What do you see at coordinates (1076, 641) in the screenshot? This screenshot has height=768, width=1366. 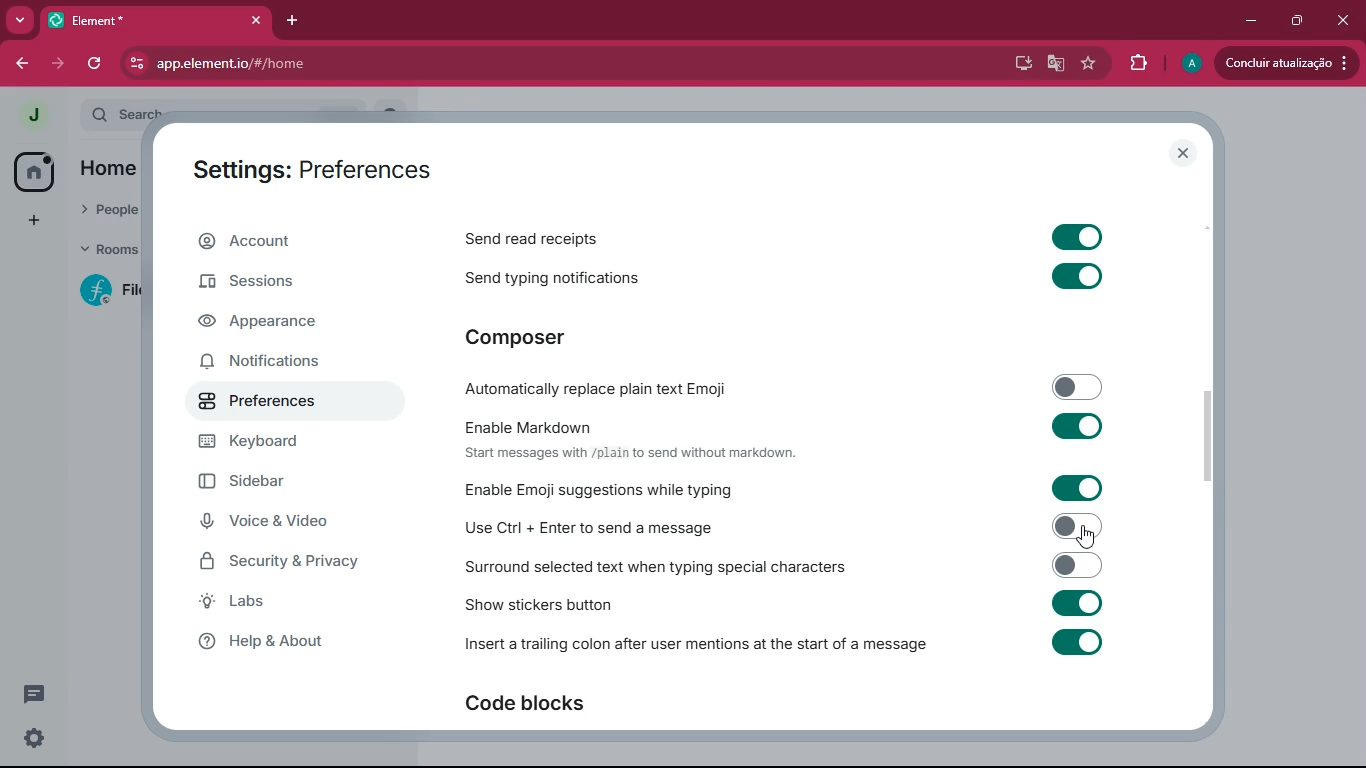 I see `toggle on or off` at bounding box center [1076, 641].